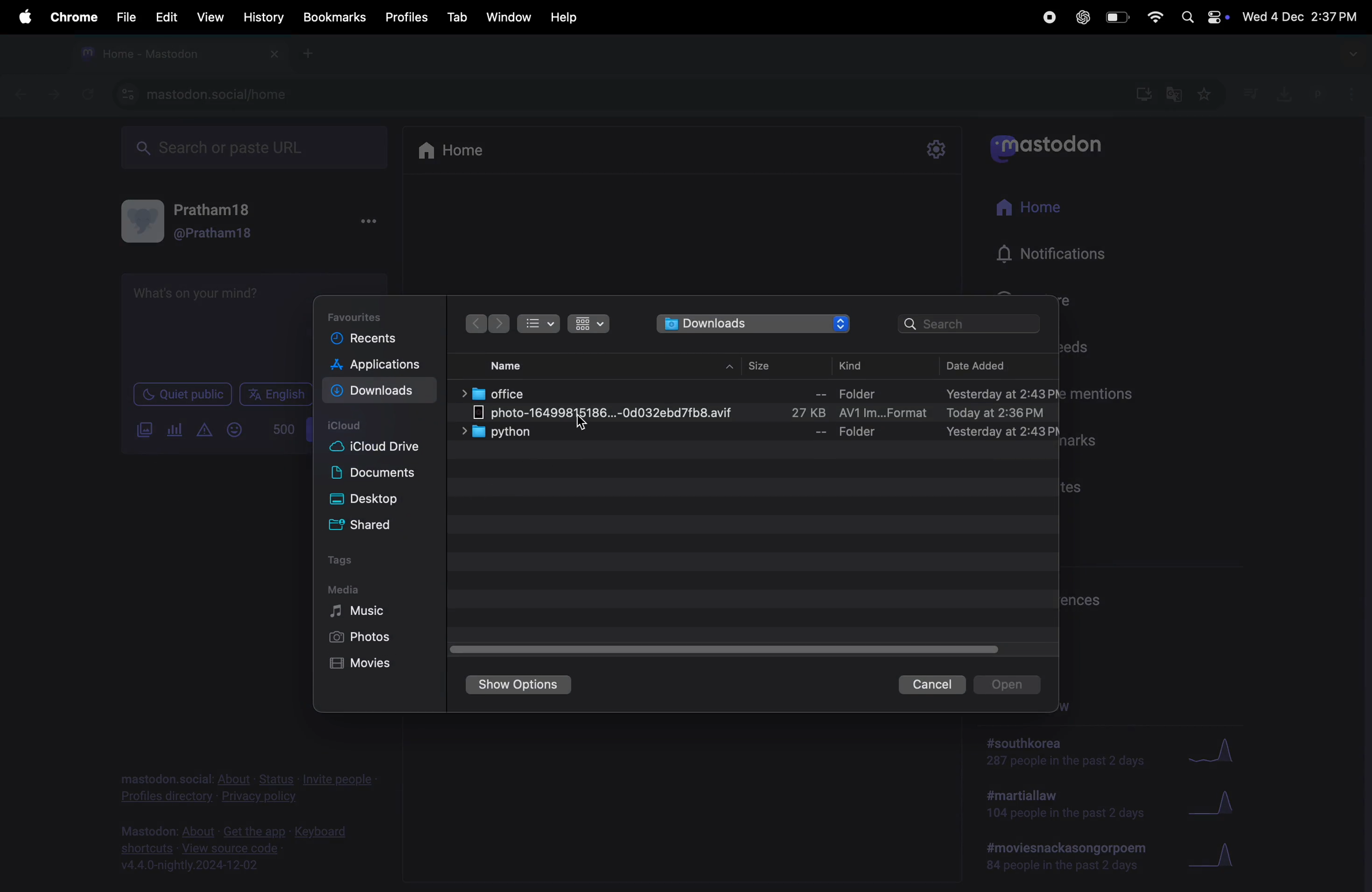  I want to click on graph, so click(1212, 751).